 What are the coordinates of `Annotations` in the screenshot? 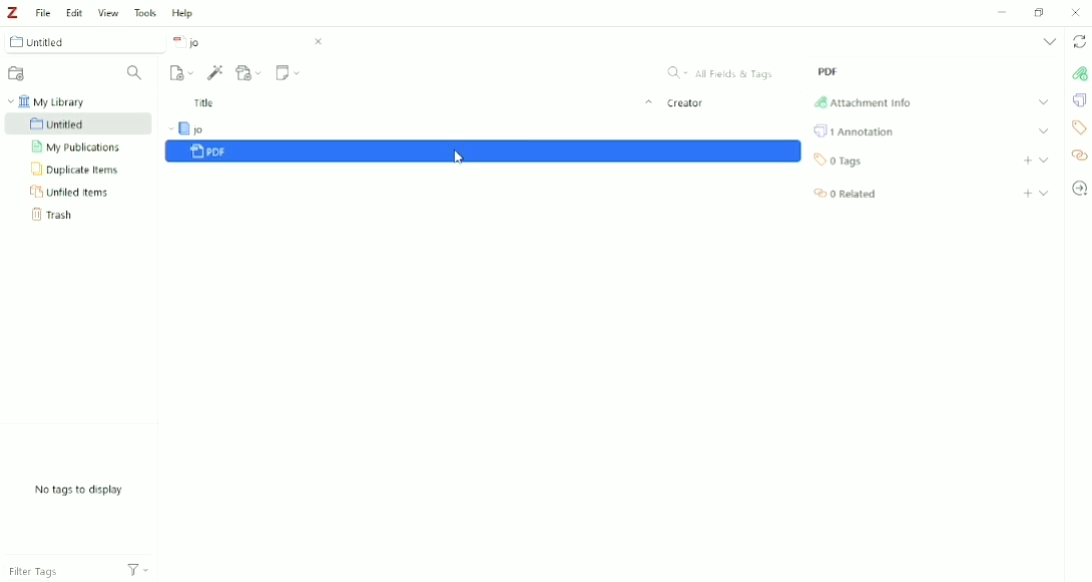 It's located at (1076, 101).